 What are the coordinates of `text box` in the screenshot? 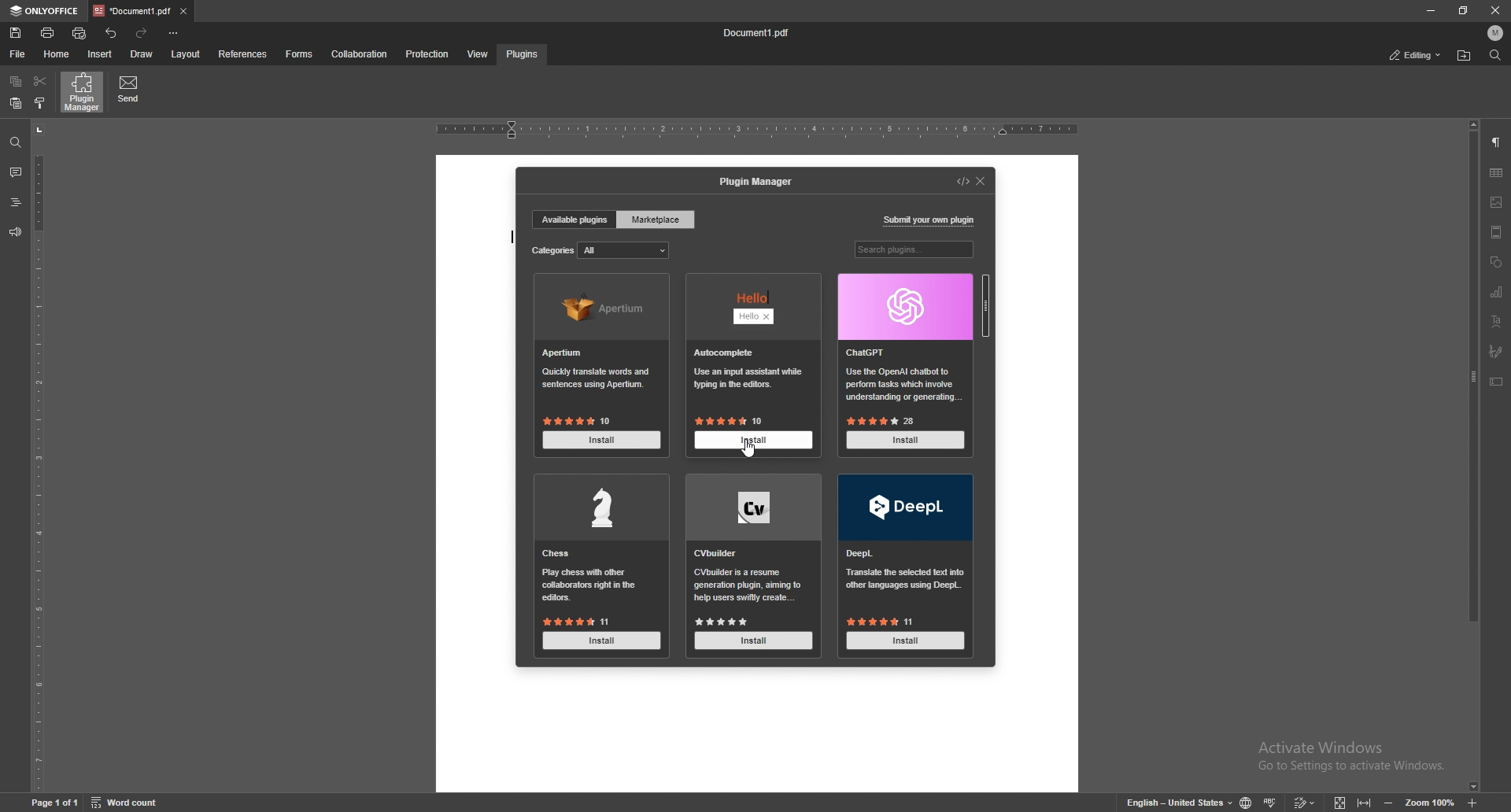 It's located at (1496, 382).